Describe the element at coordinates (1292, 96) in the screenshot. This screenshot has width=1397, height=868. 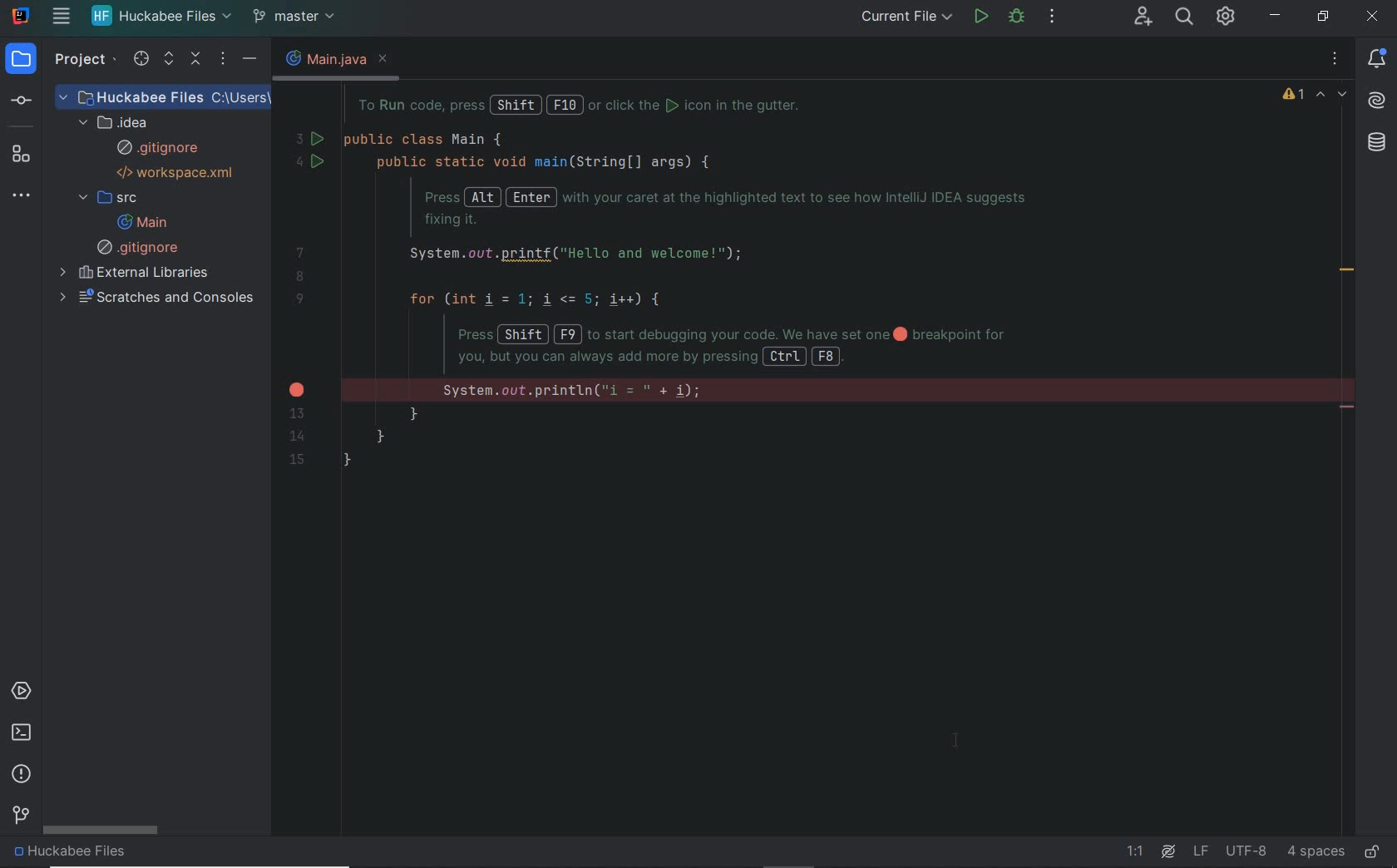
I see `warnings` at that location.